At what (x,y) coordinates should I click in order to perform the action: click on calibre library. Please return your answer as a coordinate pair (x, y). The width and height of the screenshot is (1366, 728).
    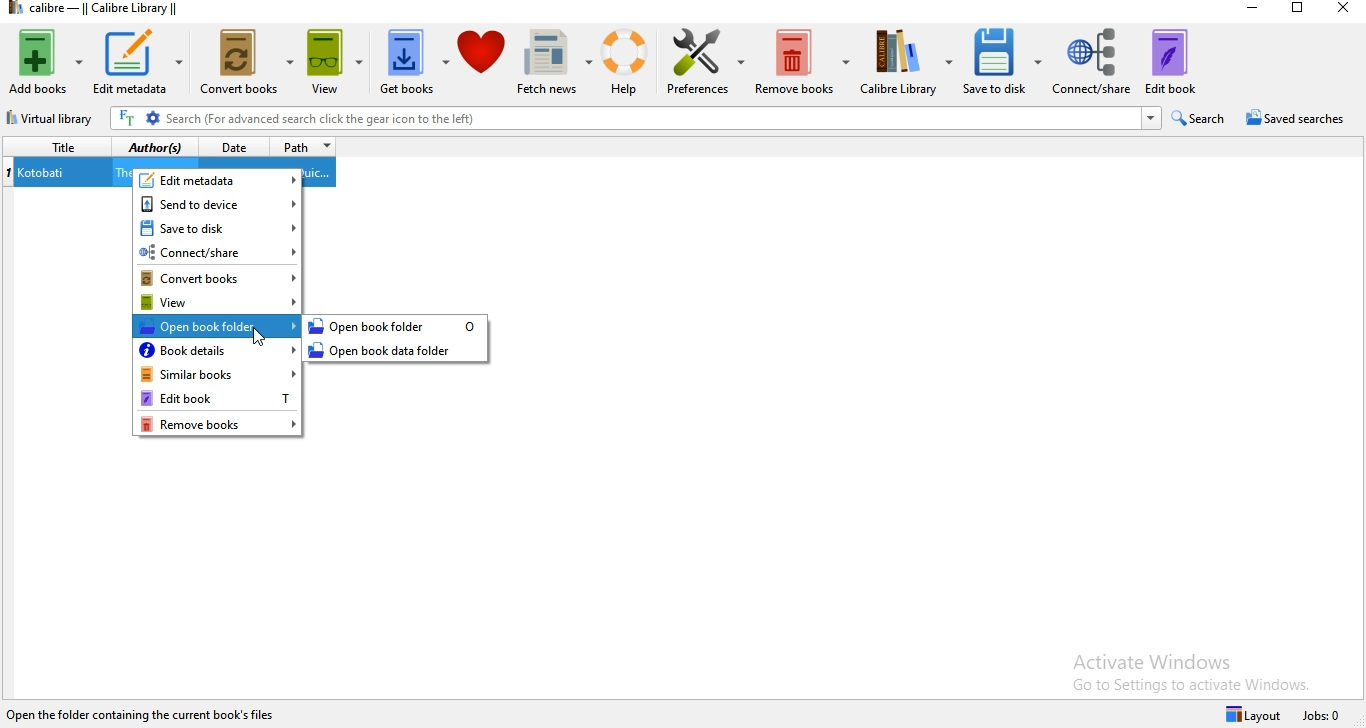
    Looking at the image, I should click on (904, 65).